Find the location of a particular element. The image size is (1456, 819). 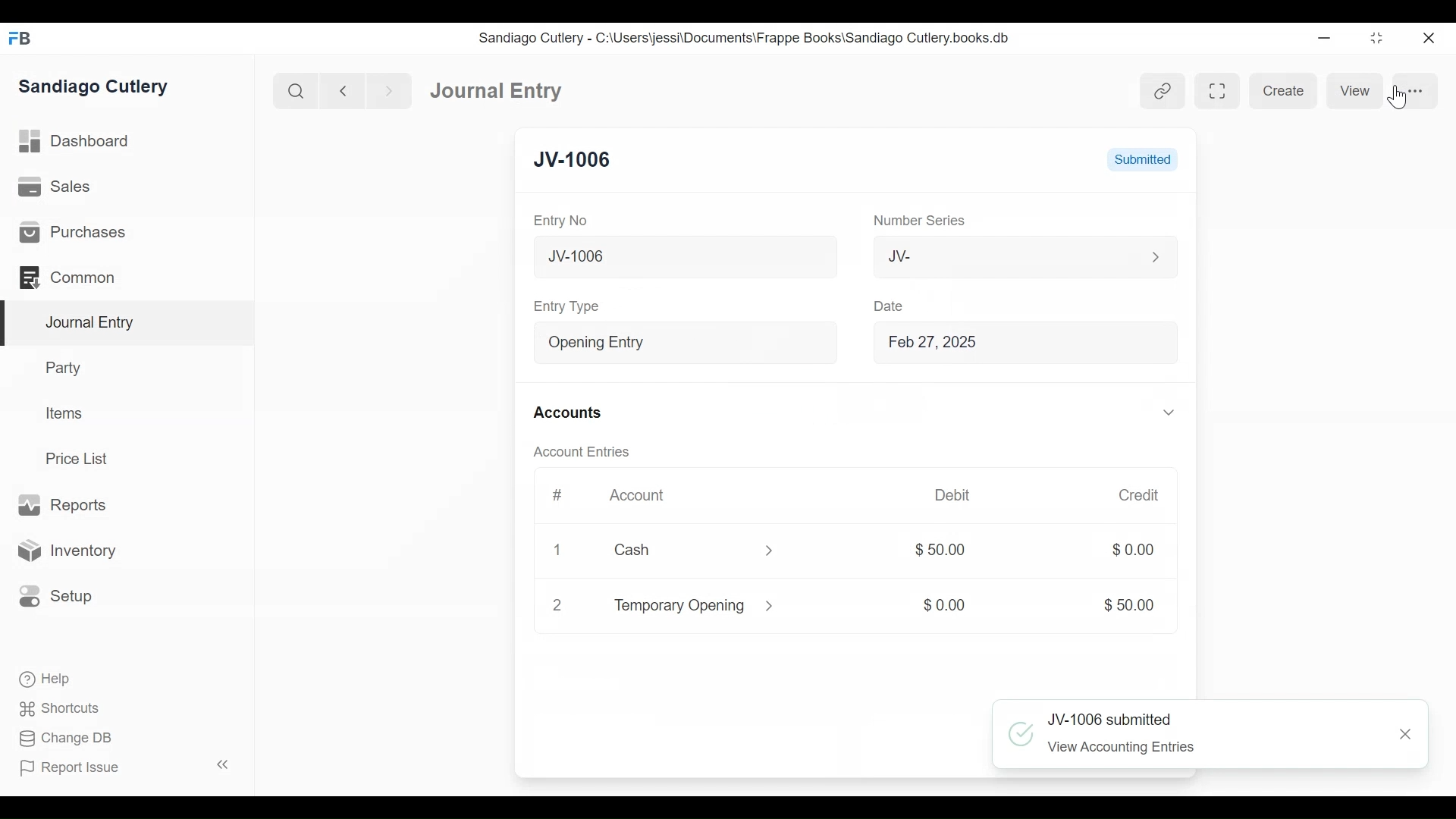

Sandiago Cutlery is located at coordinates (96, 88).